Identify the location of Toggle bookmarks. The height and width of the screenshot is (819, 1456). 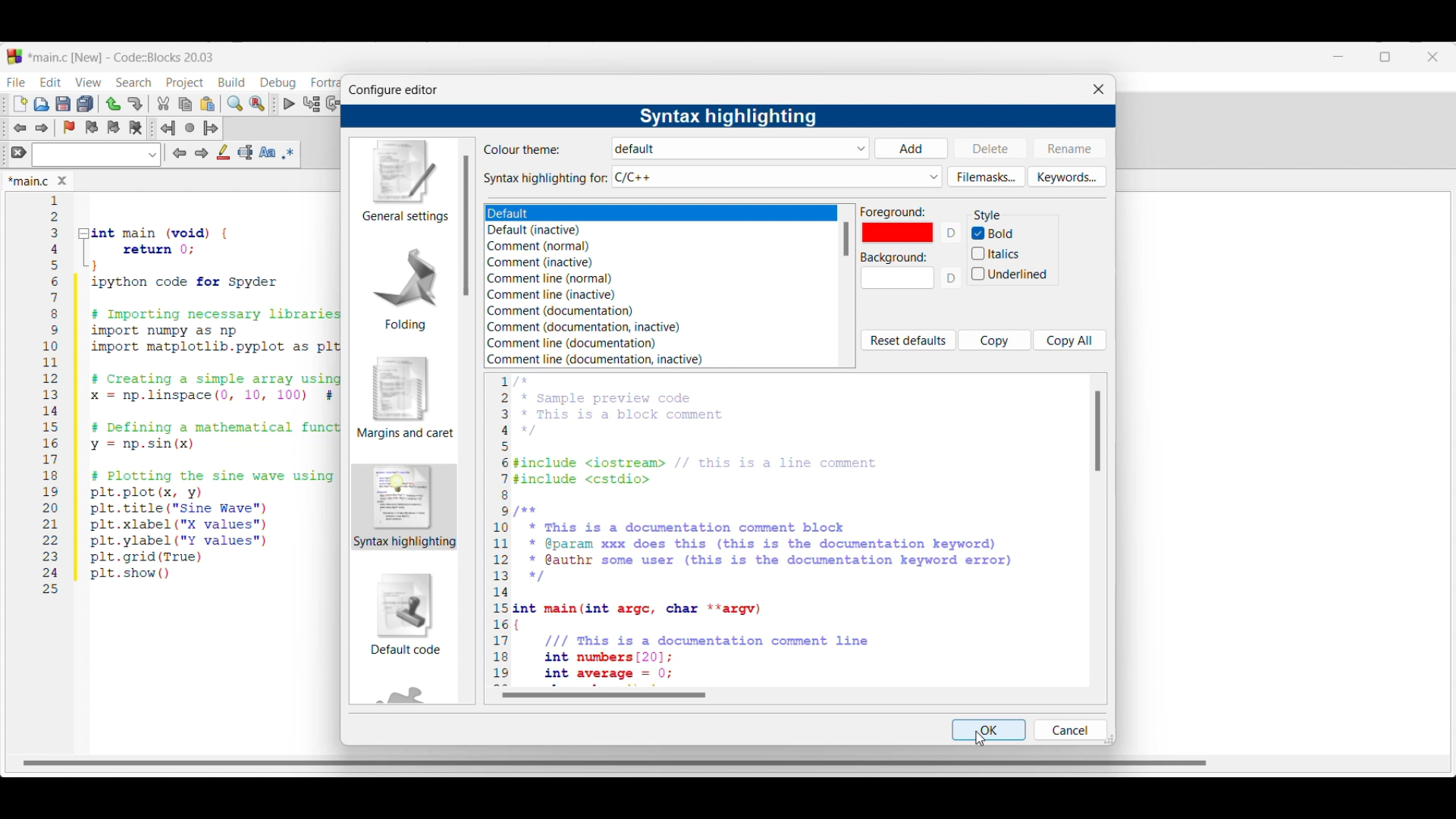
(69, 127).